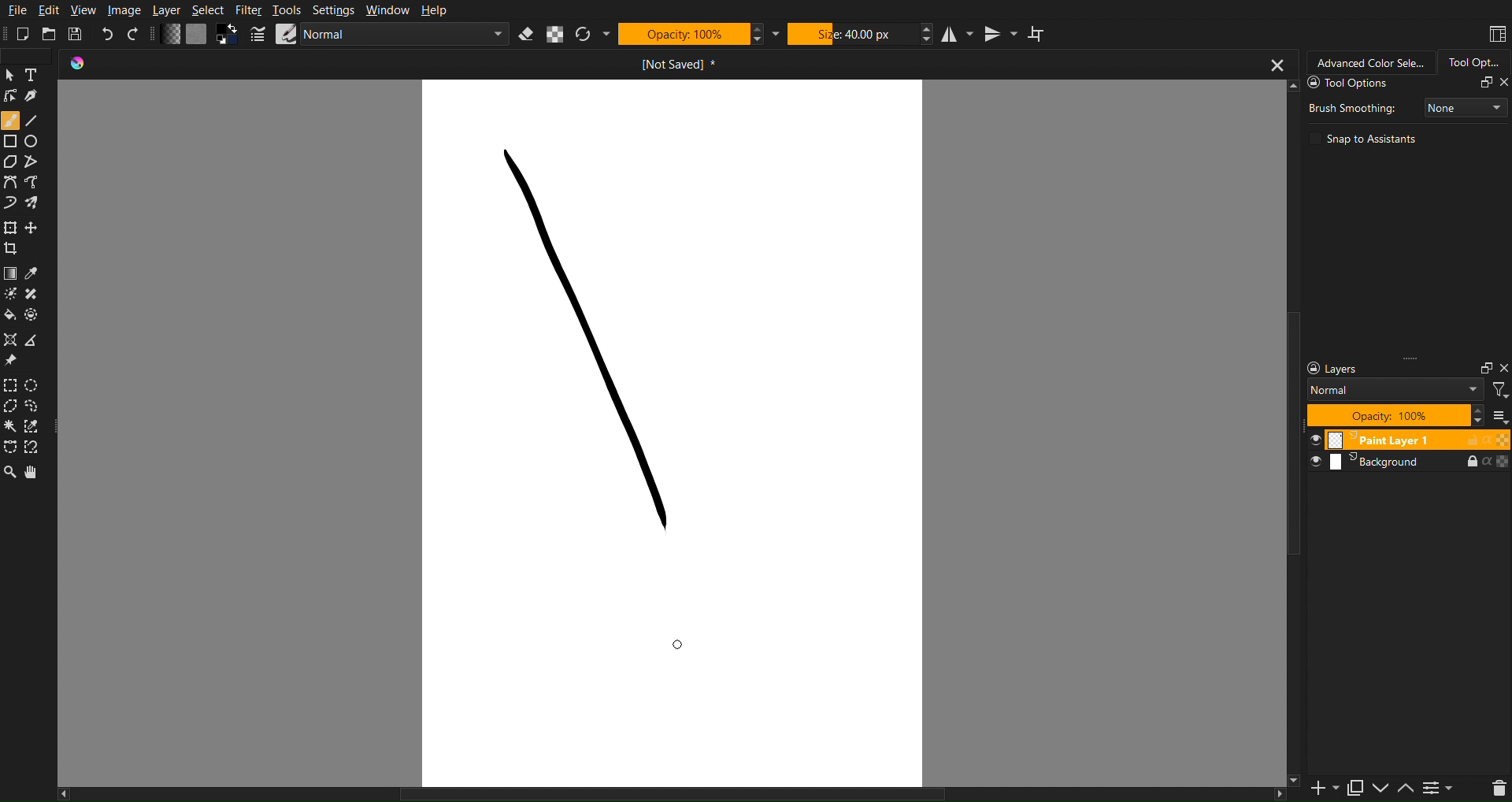  I want to click on Opacity, so click(1389, 414).